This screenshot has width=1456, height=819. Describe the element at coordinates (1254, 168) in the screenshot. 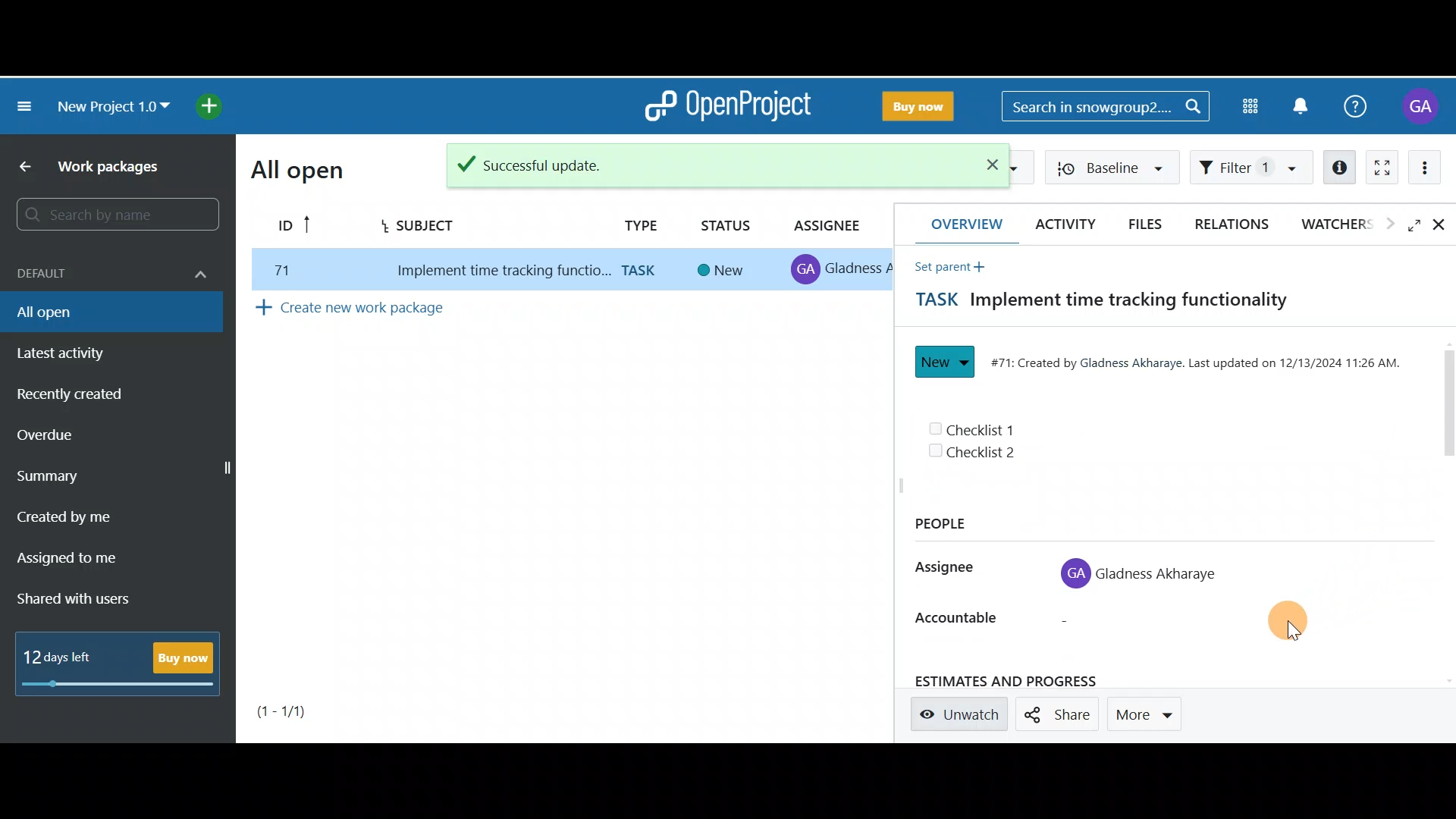

I see `Filter` at that location.